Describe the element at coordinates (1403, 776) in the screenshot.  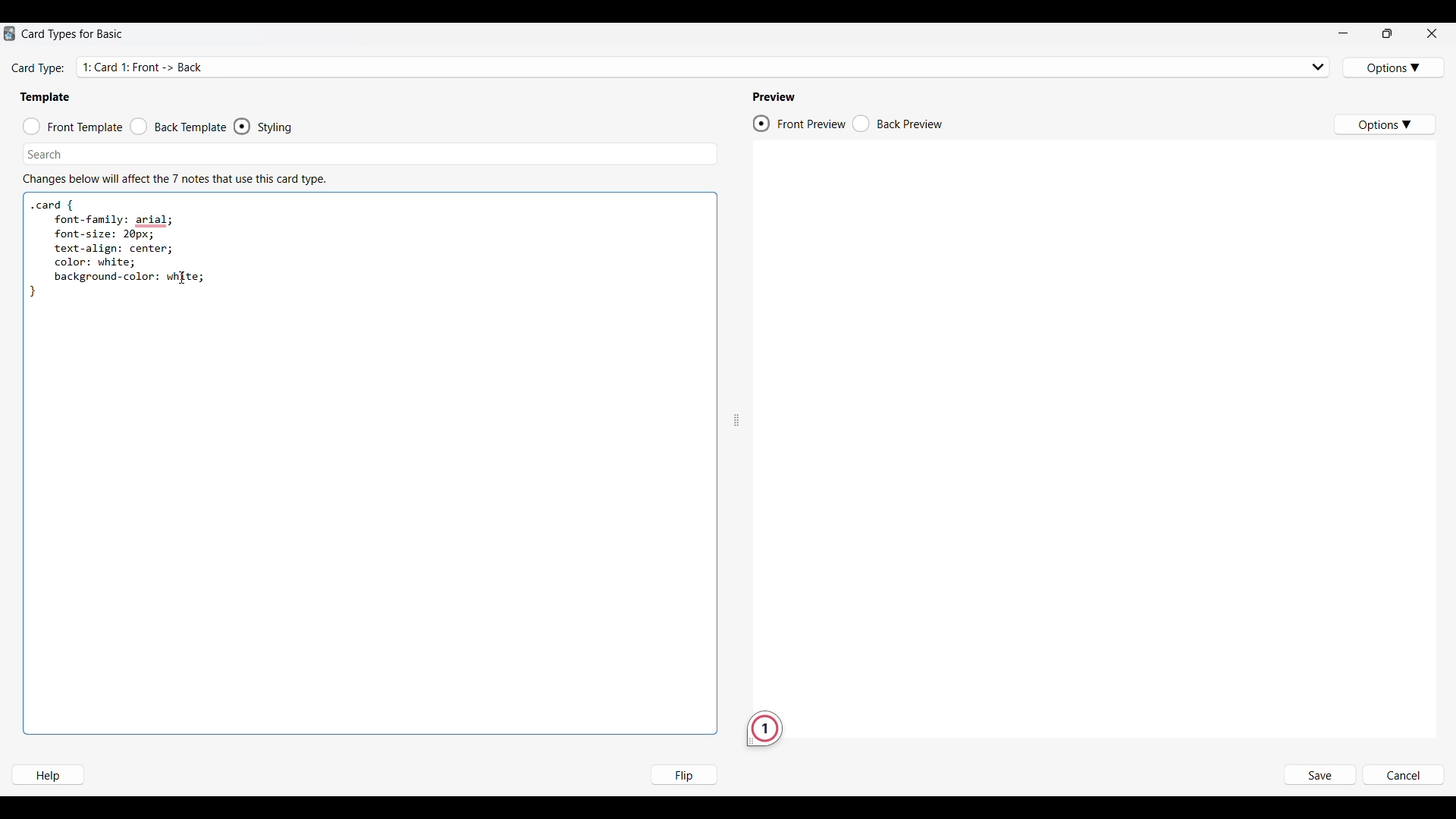
I see `Cancel` at that location.